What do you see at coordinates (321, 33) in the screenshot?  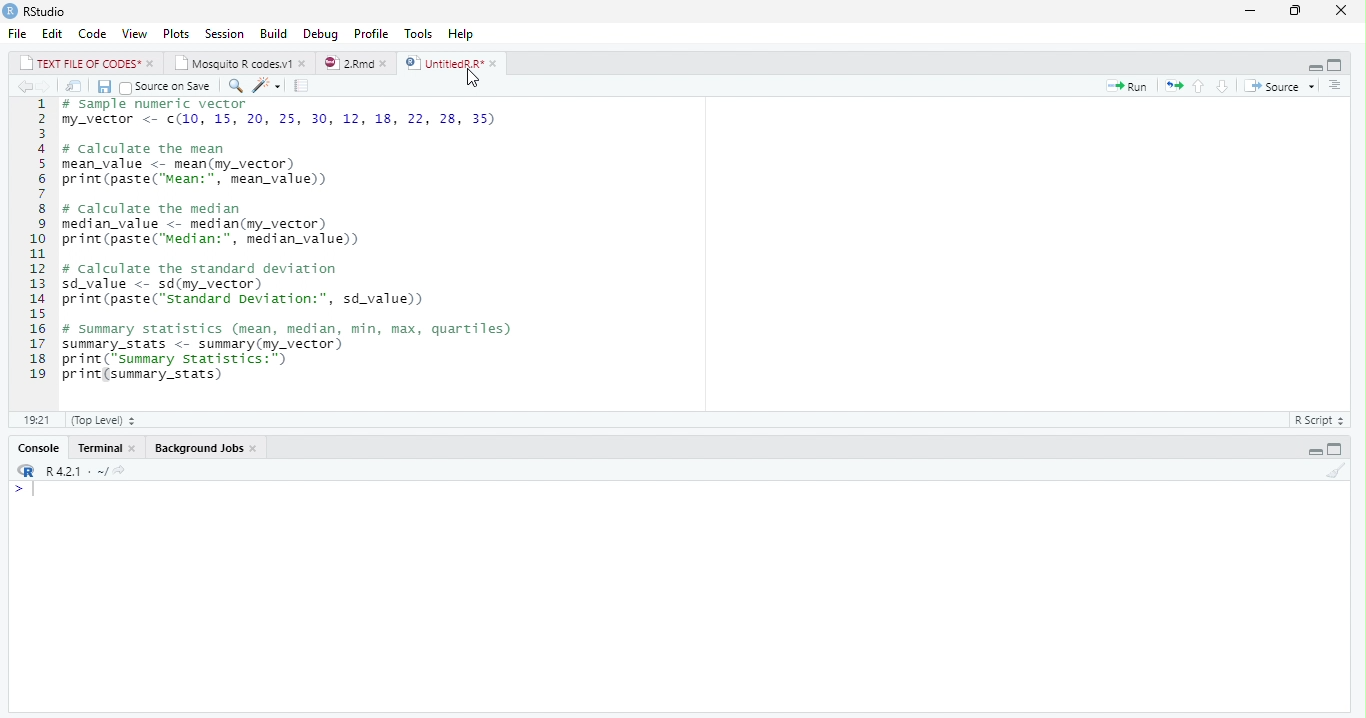 I see `debug` at bounding box center [321, 33].